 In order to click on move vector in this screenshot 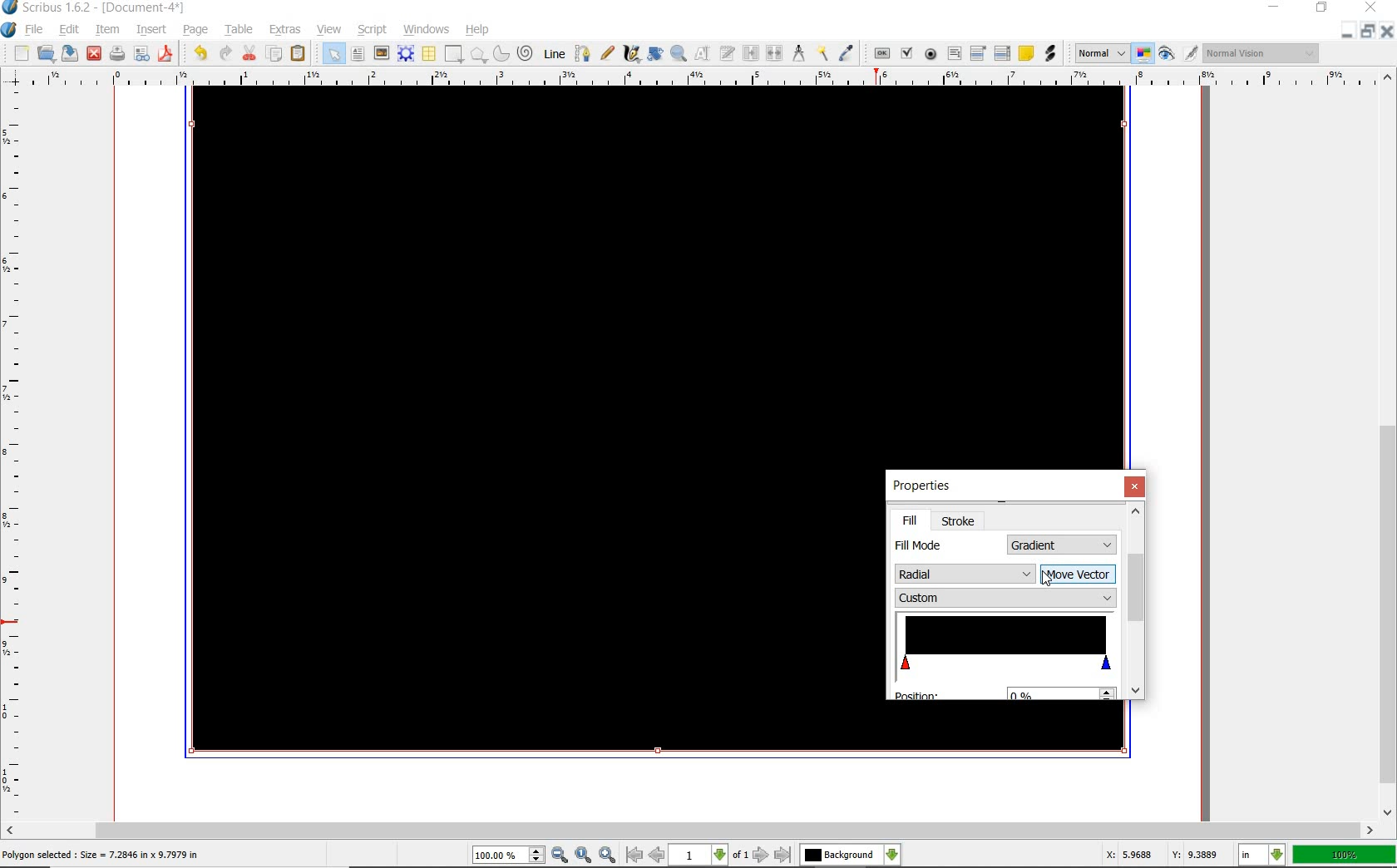, I will do `click(1079, 575)`.